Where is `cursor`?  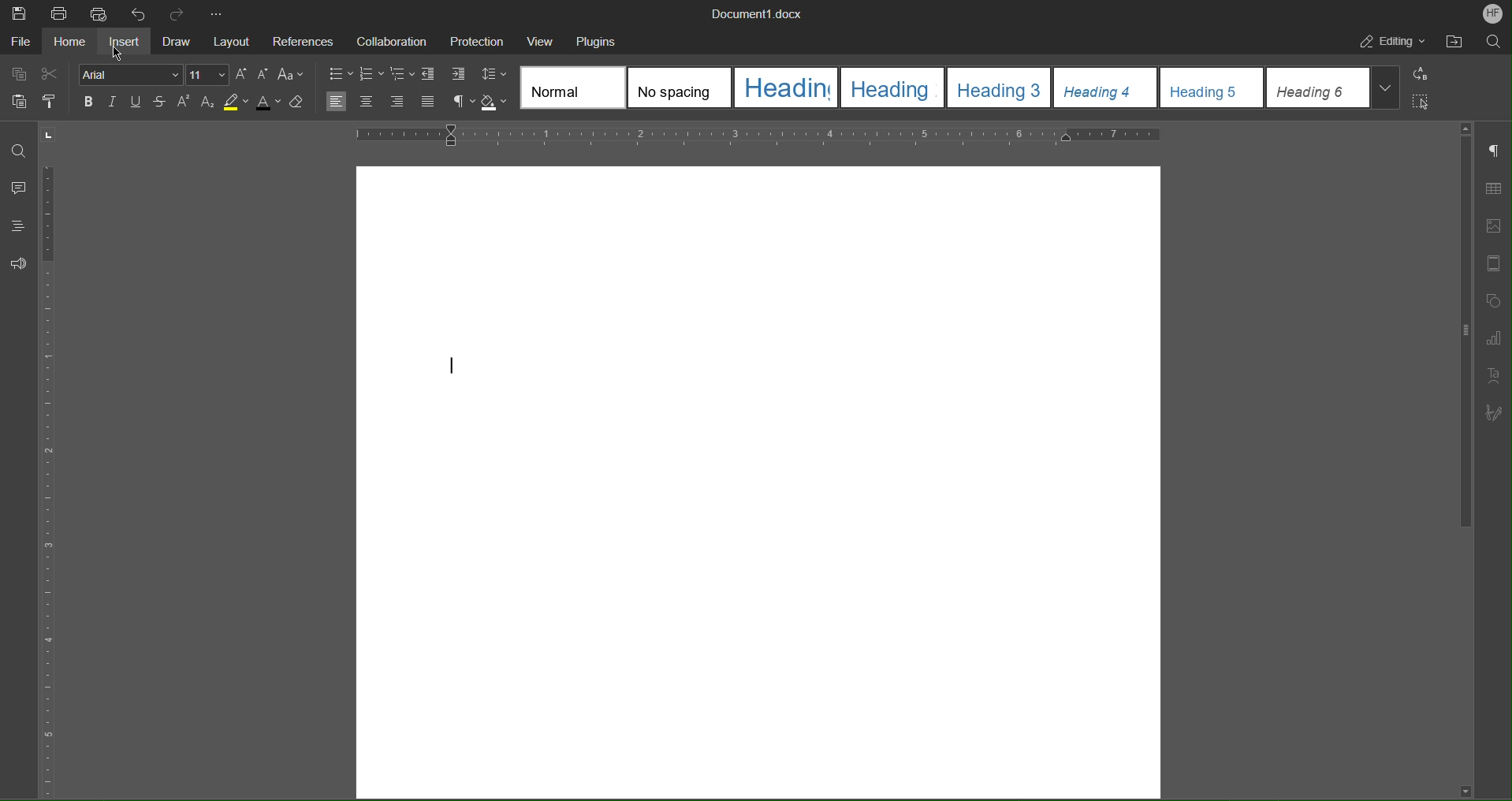
cursor is located at coordinates (120, 51).